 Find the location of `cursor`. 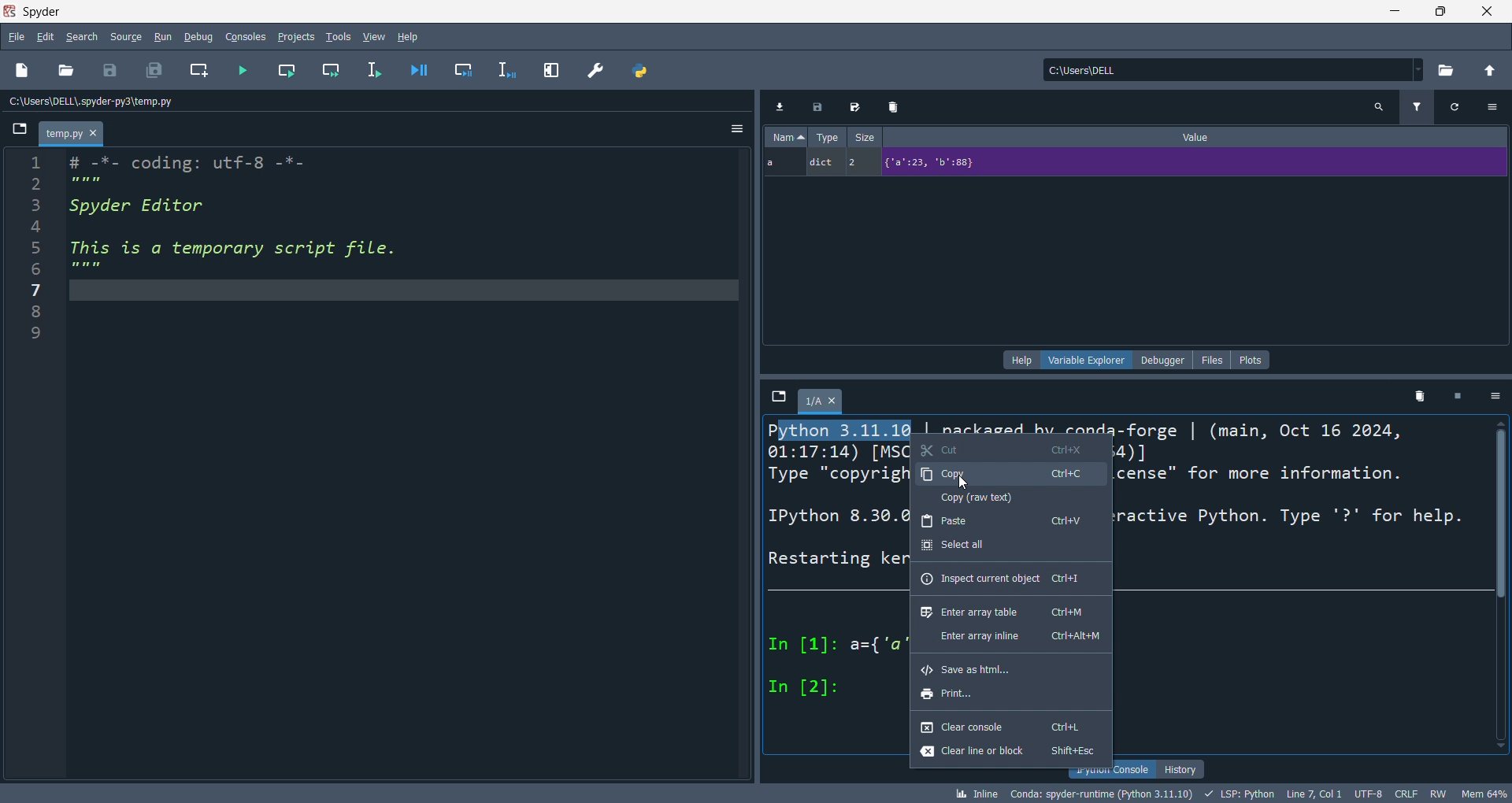

cursor is located at coordinates (969, 483).